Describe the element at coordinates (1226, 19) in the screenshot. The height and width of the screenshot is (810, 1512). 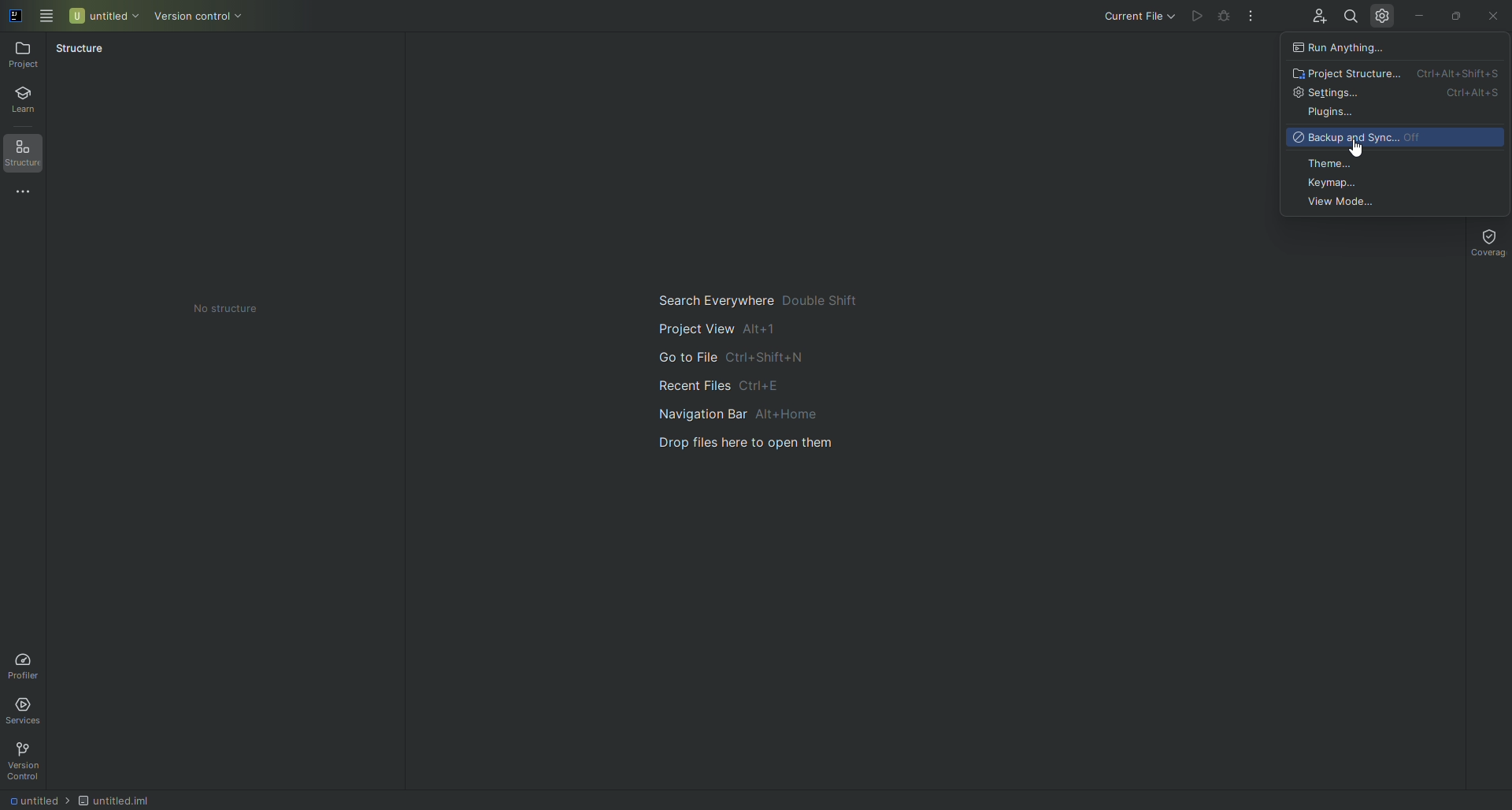
I see `Cannot run current  file` at that location.